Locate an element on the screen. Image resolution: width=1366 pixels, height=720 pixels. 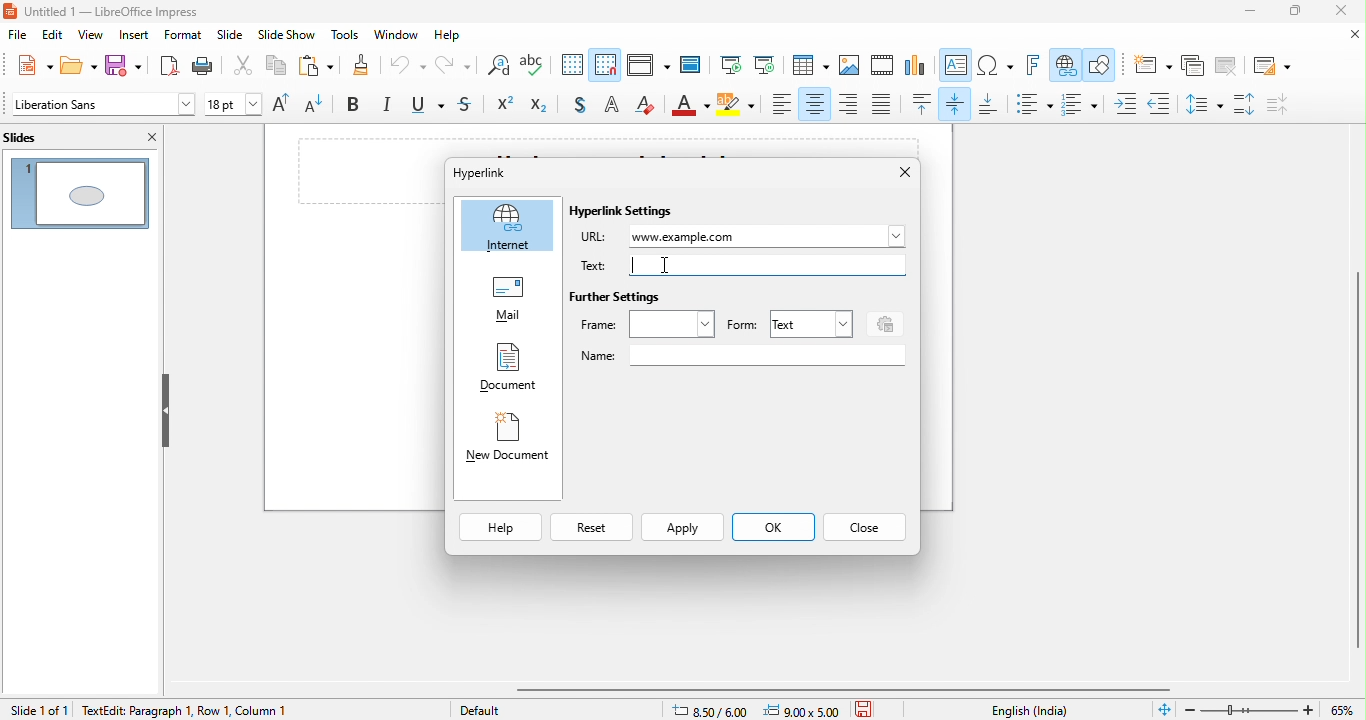
file is located at coordinates (17, 37).